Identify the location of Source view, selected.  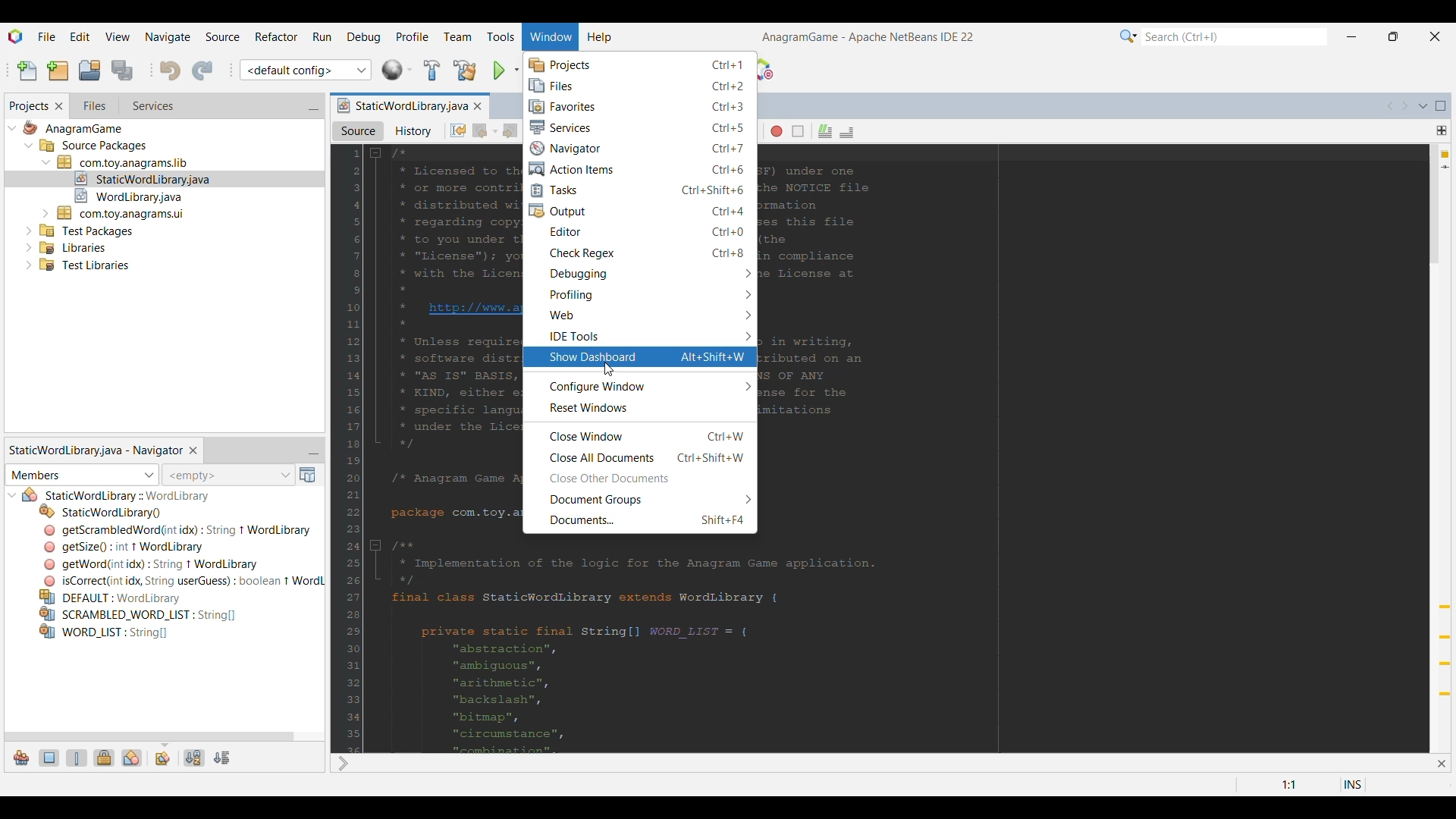
(359, 131).